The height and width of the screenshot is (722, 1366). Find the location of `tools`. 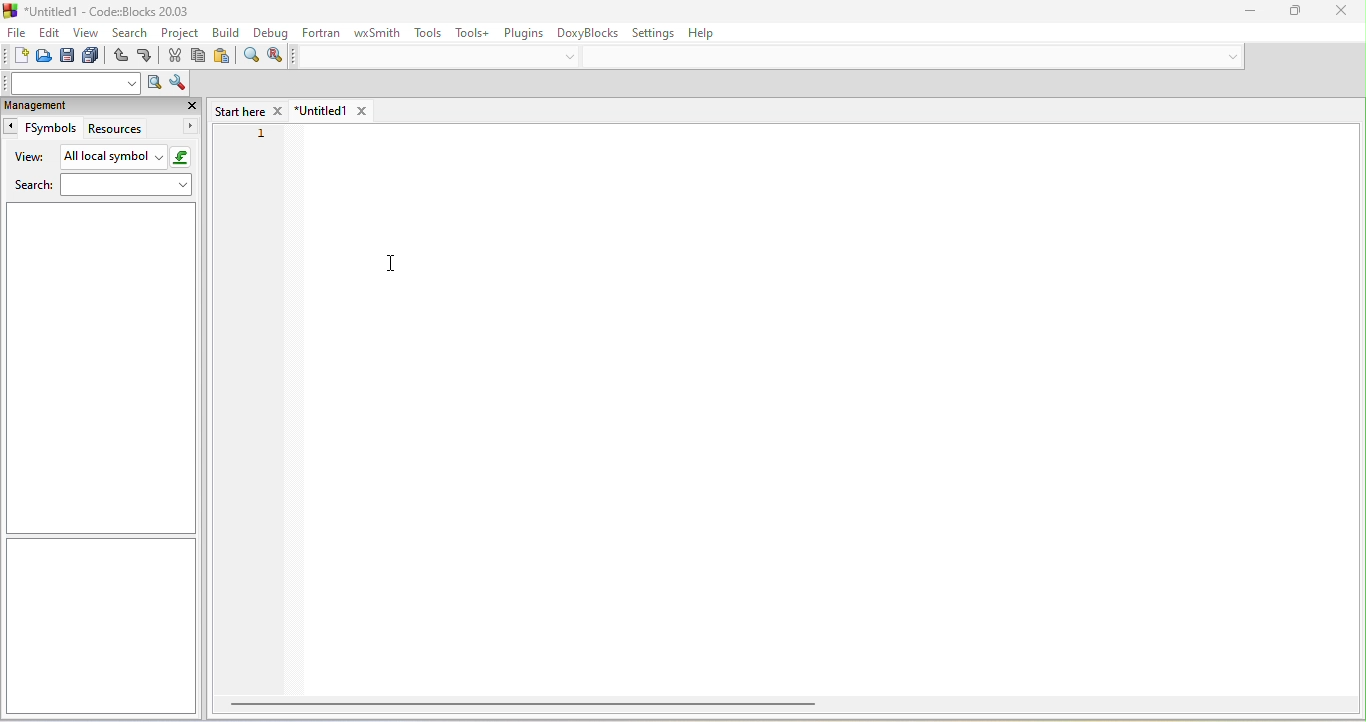

tools is located at coordinates (426, 33).